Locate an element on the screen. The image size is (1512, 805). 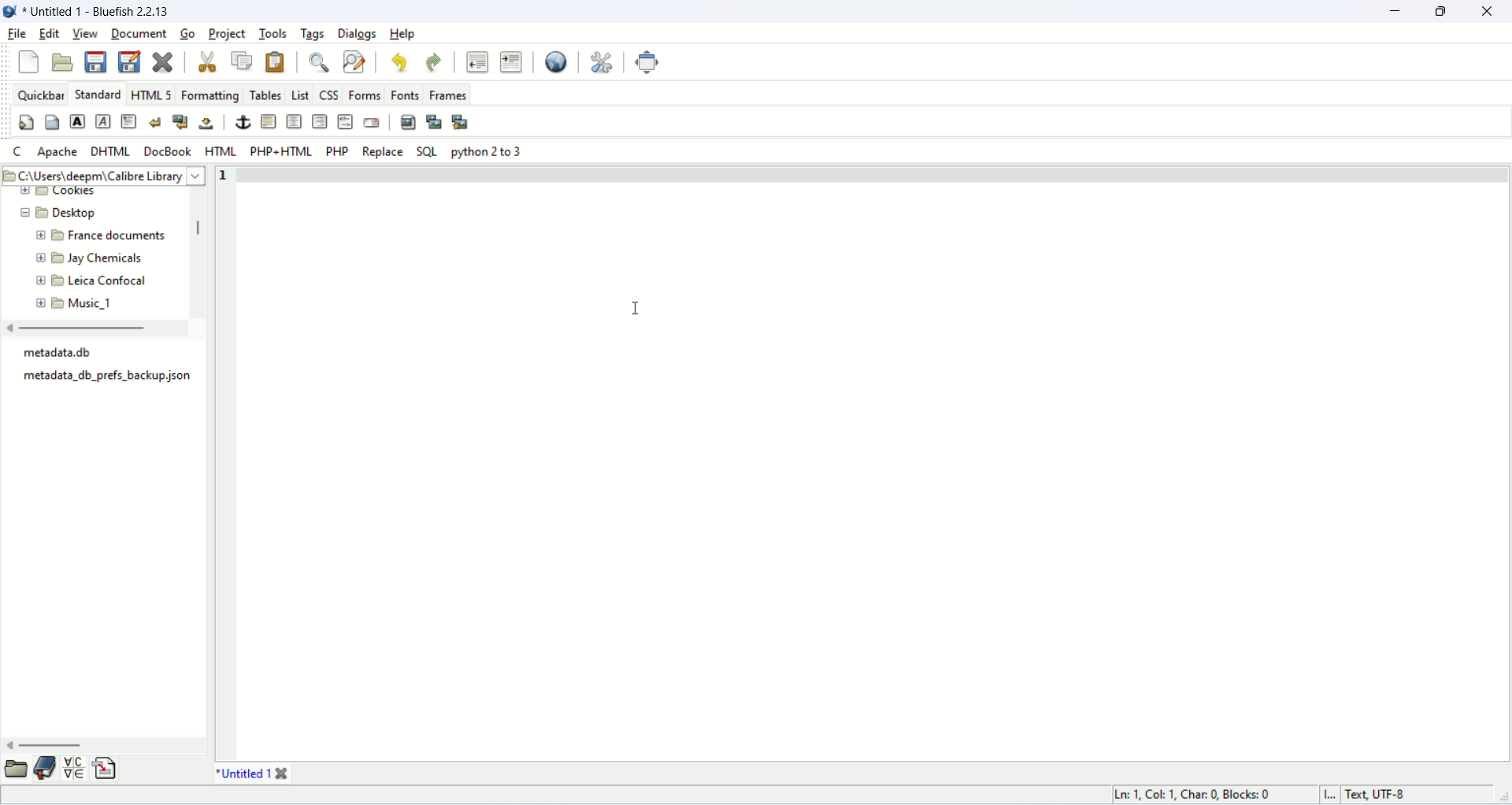
find and replace is located at coordinates (357, 63).